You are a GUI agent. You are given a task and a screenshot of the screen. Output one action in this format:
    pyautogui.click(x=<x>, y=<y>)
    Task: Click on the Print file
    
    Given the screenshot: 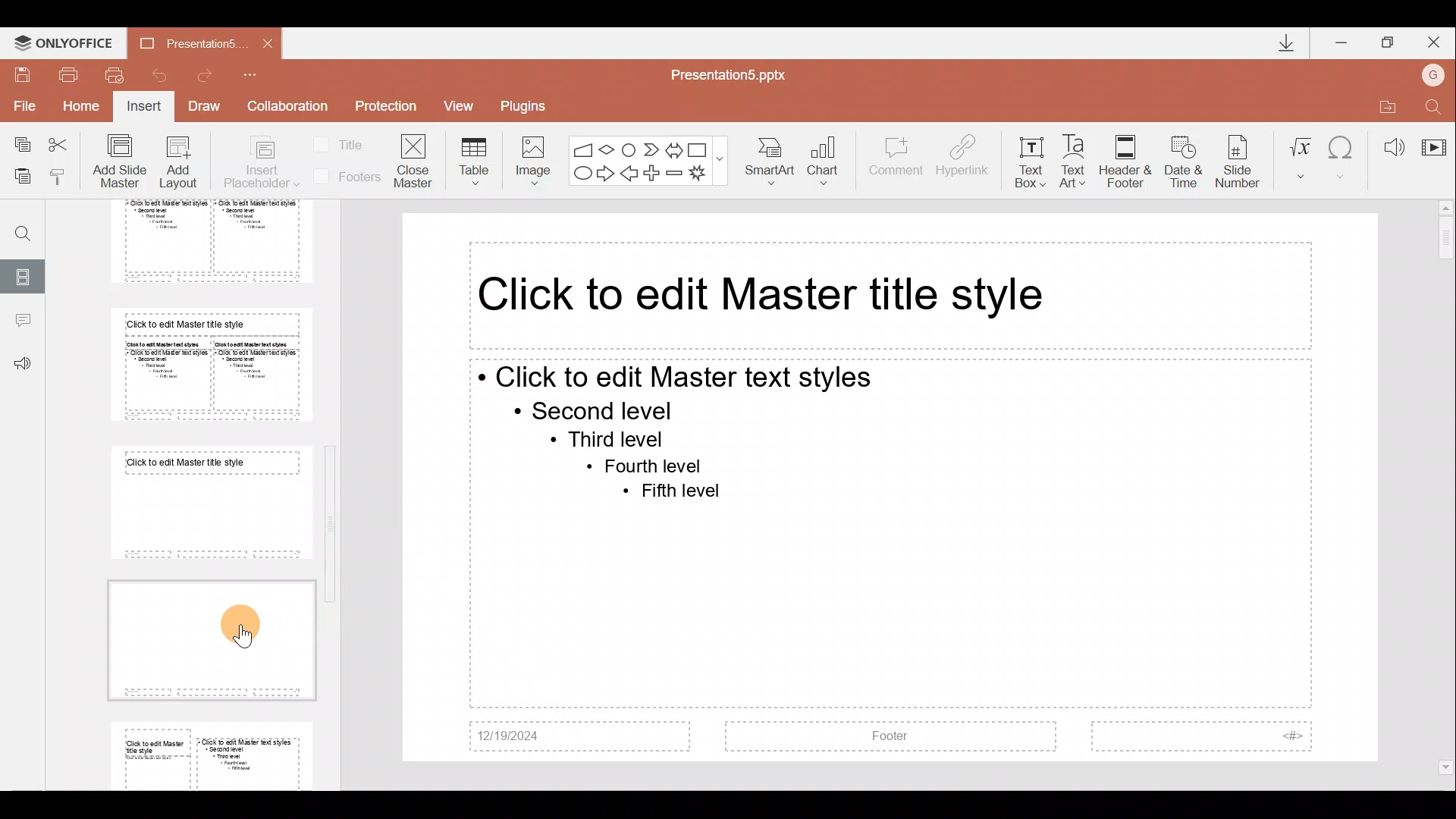 What is the action you would take?
    pyautogui.click(x=69, y=74)
    